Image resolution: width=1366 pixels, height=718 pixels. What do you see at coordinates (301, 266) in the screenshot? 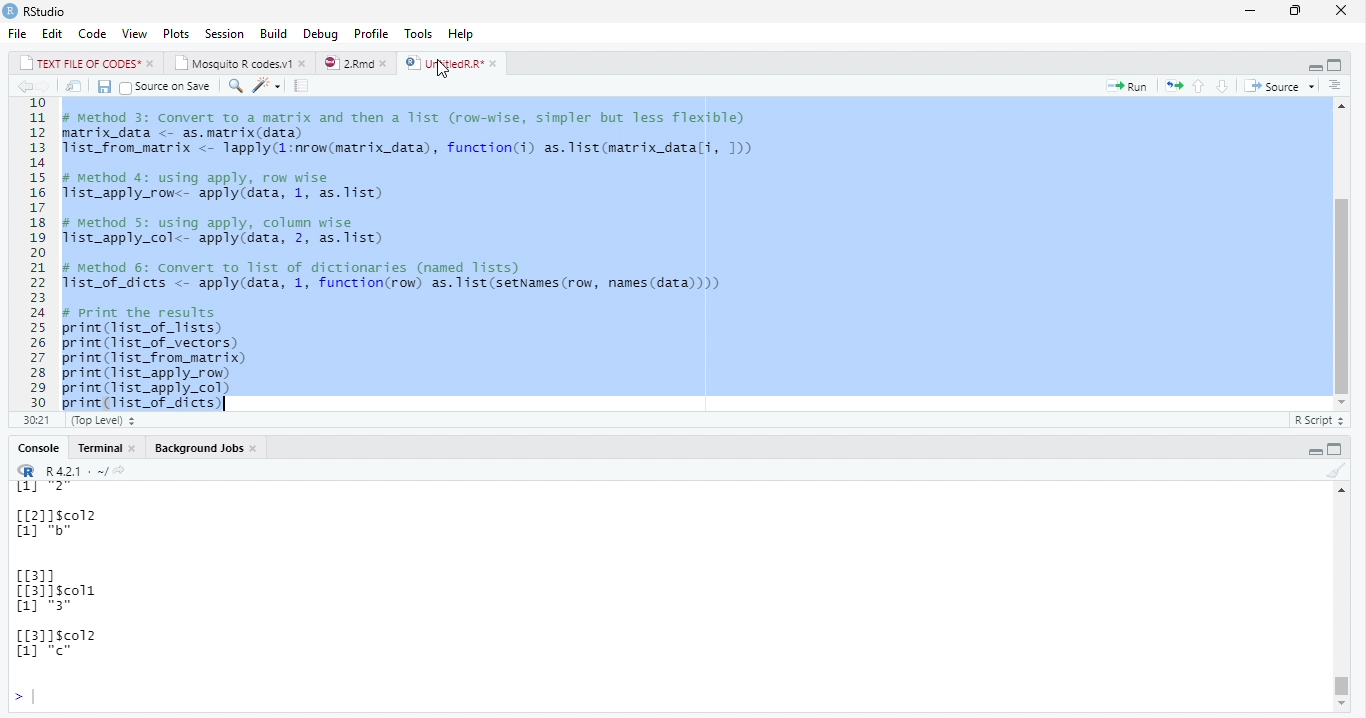
I see `# Method 6: Convert to list of dictionaries (named lists)` at bounding box center [301, 266].